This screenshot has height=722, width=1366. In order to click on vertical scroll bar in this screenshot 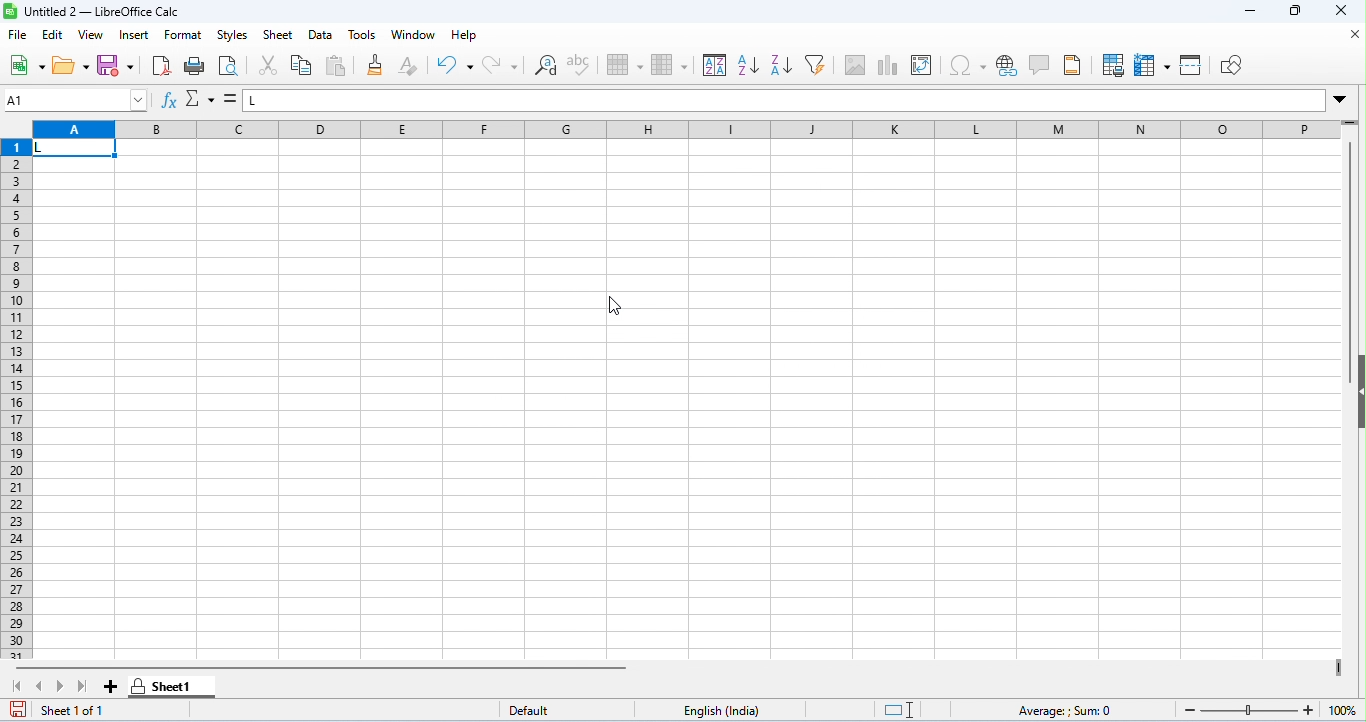, I will do `click(1351, 264)`.